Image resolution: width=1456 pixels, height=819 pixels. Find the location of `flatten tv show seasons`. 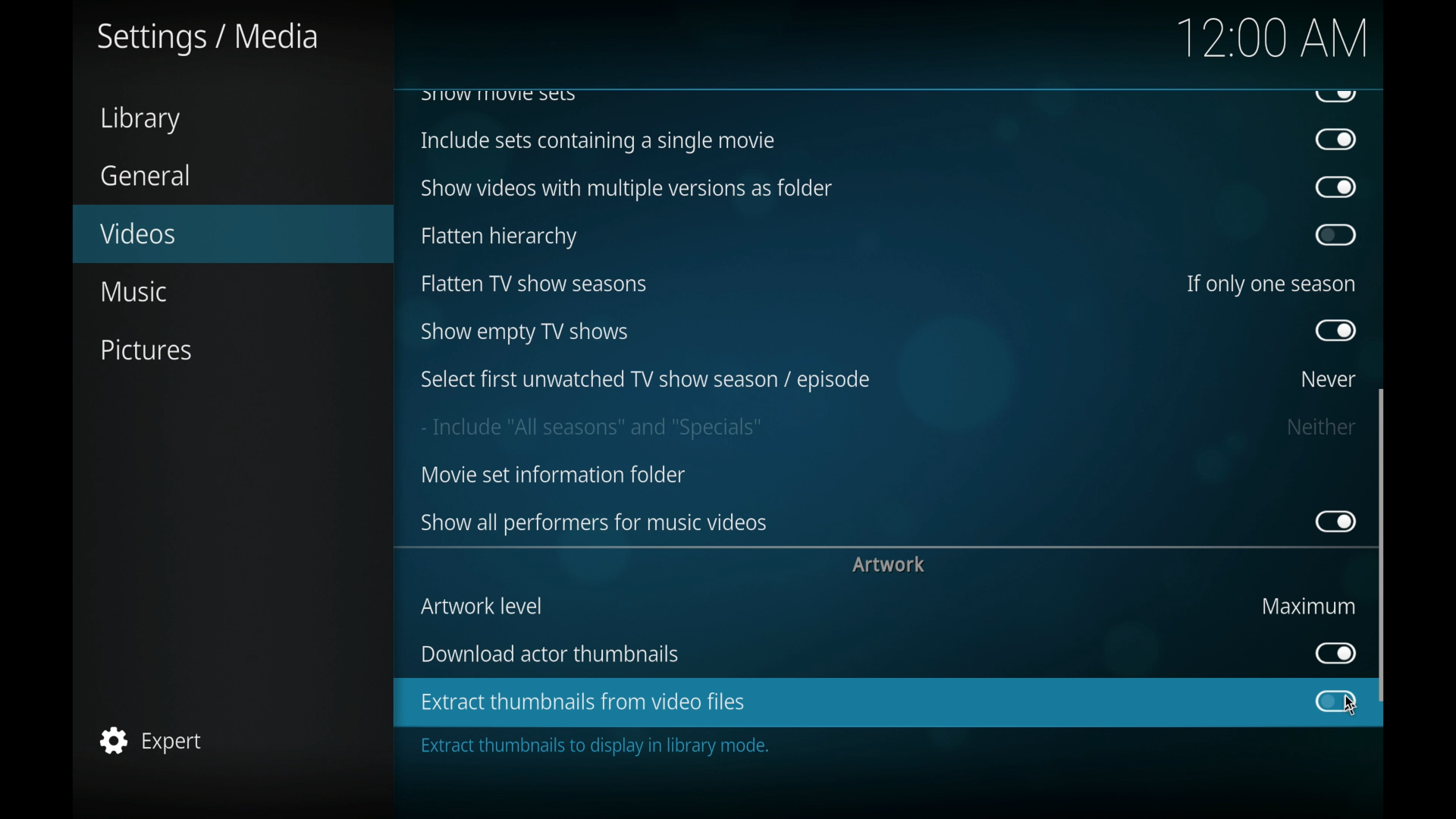

flatten tv show seasons is located at coordinates (535, 284).